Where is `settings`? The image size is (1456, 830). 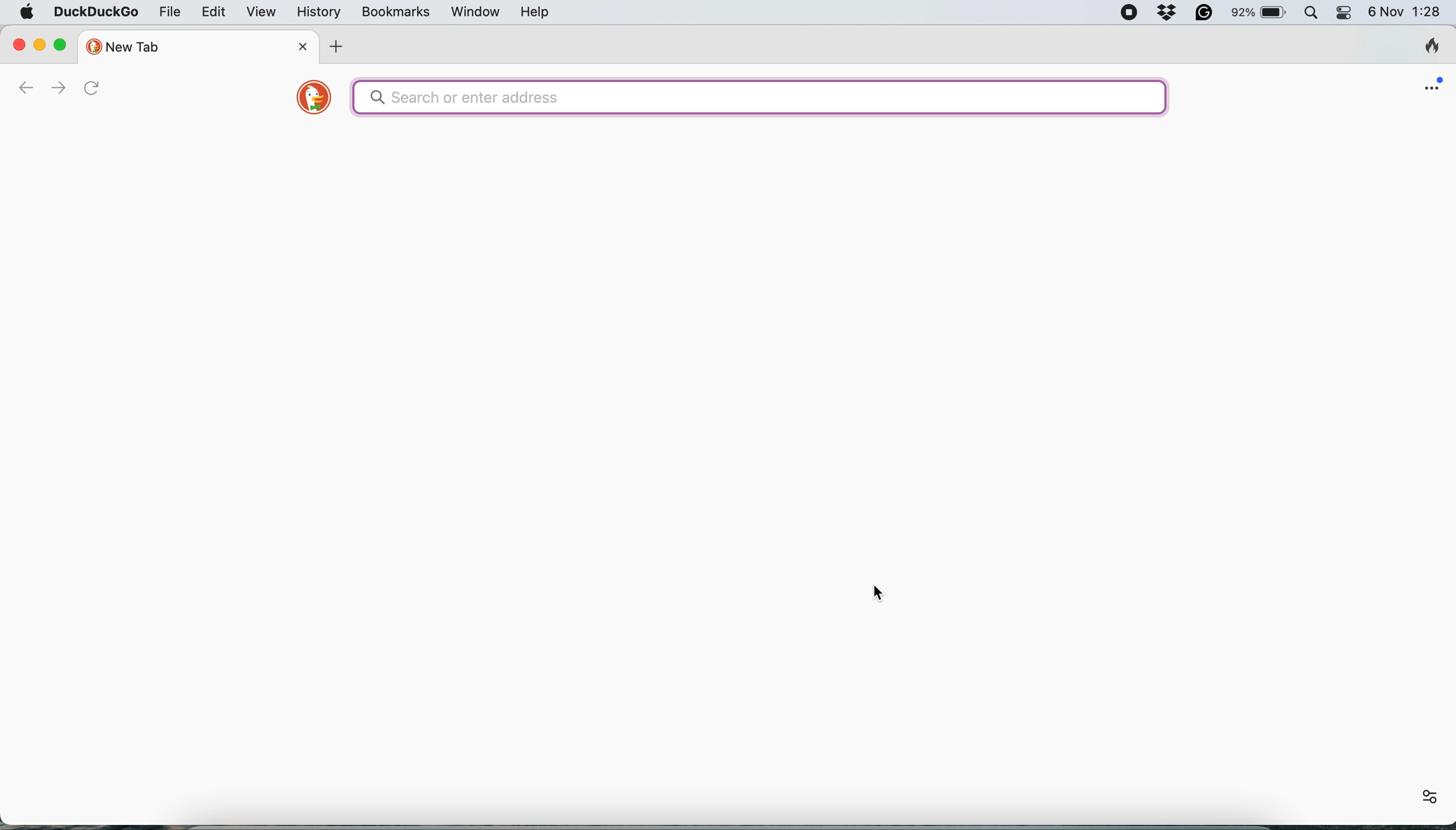 settings is located at coordinates (1424, 797).